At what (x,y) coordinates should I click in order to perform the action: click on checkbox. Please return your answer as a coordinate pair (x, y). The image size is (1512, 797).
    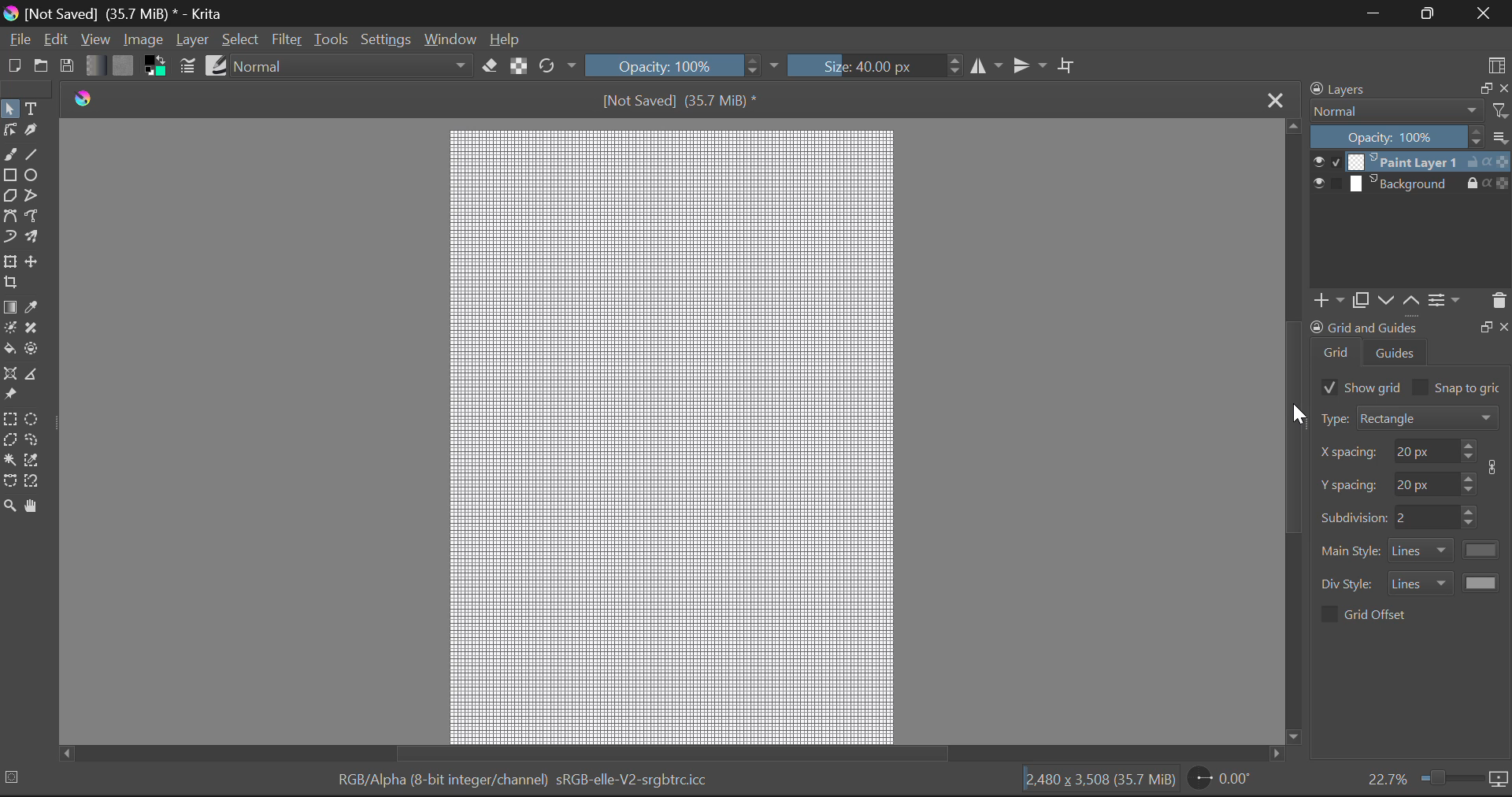
    Looking at the image, I should click on (1328, 614).